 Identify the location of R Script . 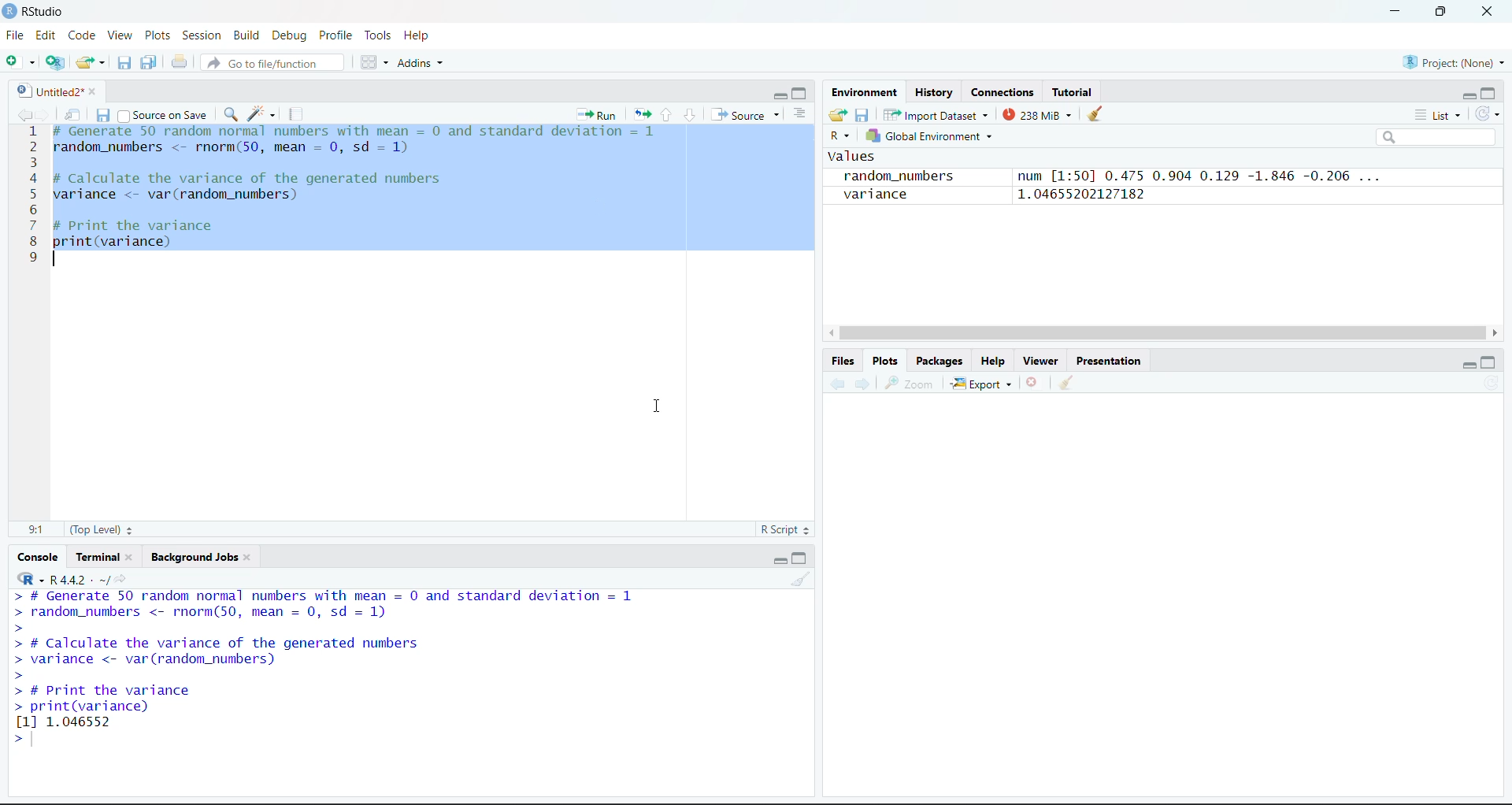
(784, 529).